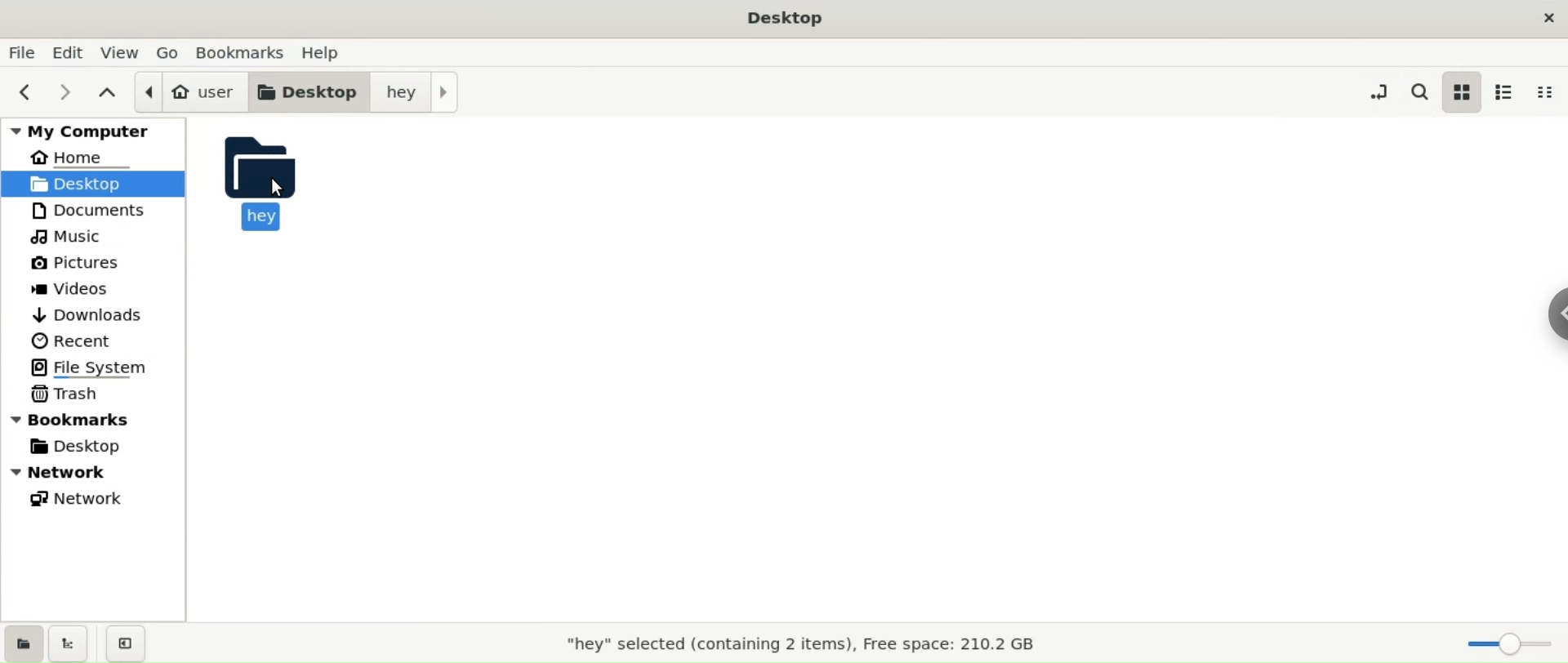 The image size is (1568, 663). Describe the element at coordinates (67, 51) in the screenshot. I see `edit` at that location.